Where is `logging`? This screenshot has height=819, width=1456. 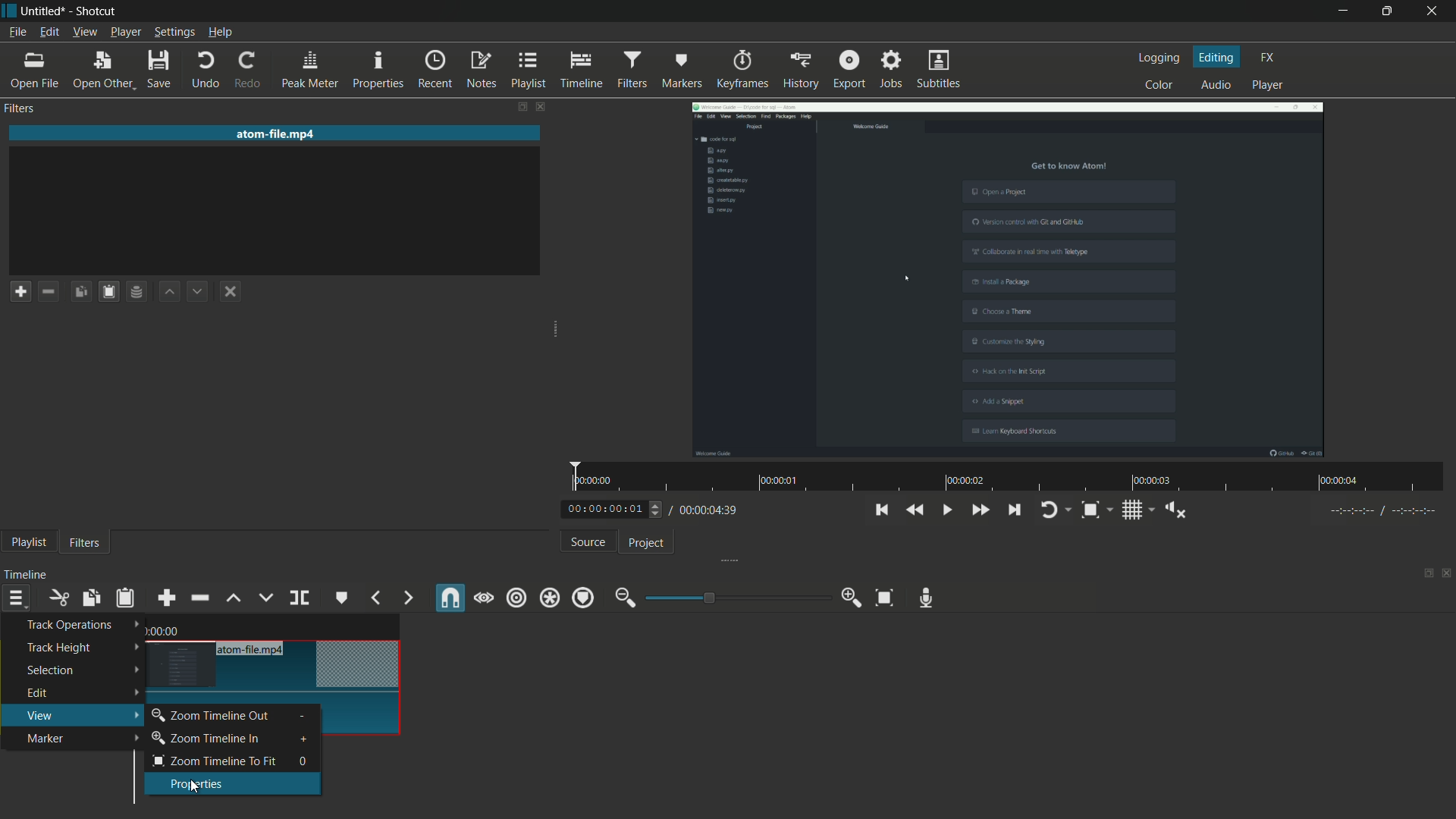 logging is located at coordinates (1161, 58).